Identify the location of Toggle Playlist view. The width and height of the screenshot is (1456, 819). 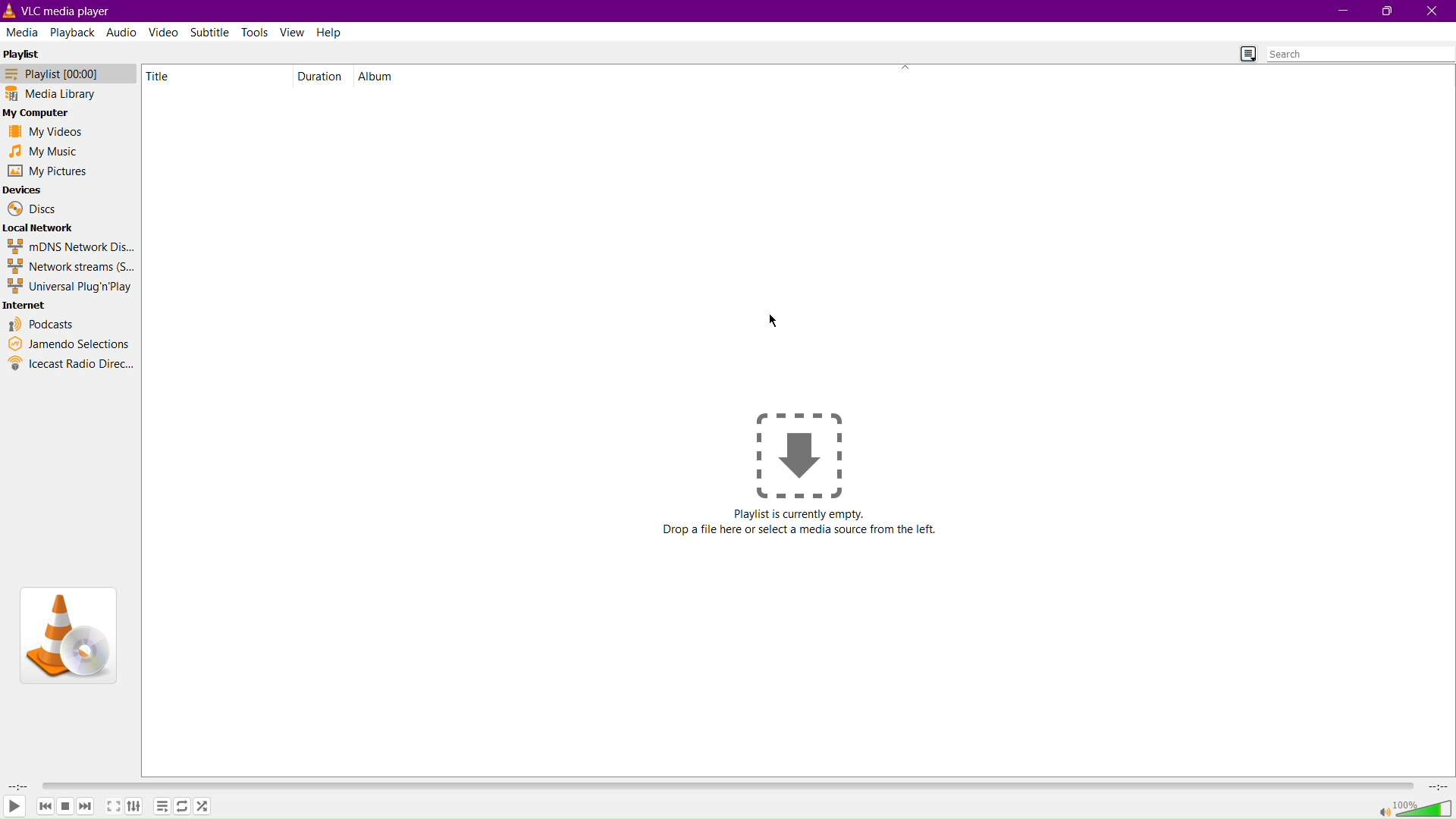
(1243, 52).